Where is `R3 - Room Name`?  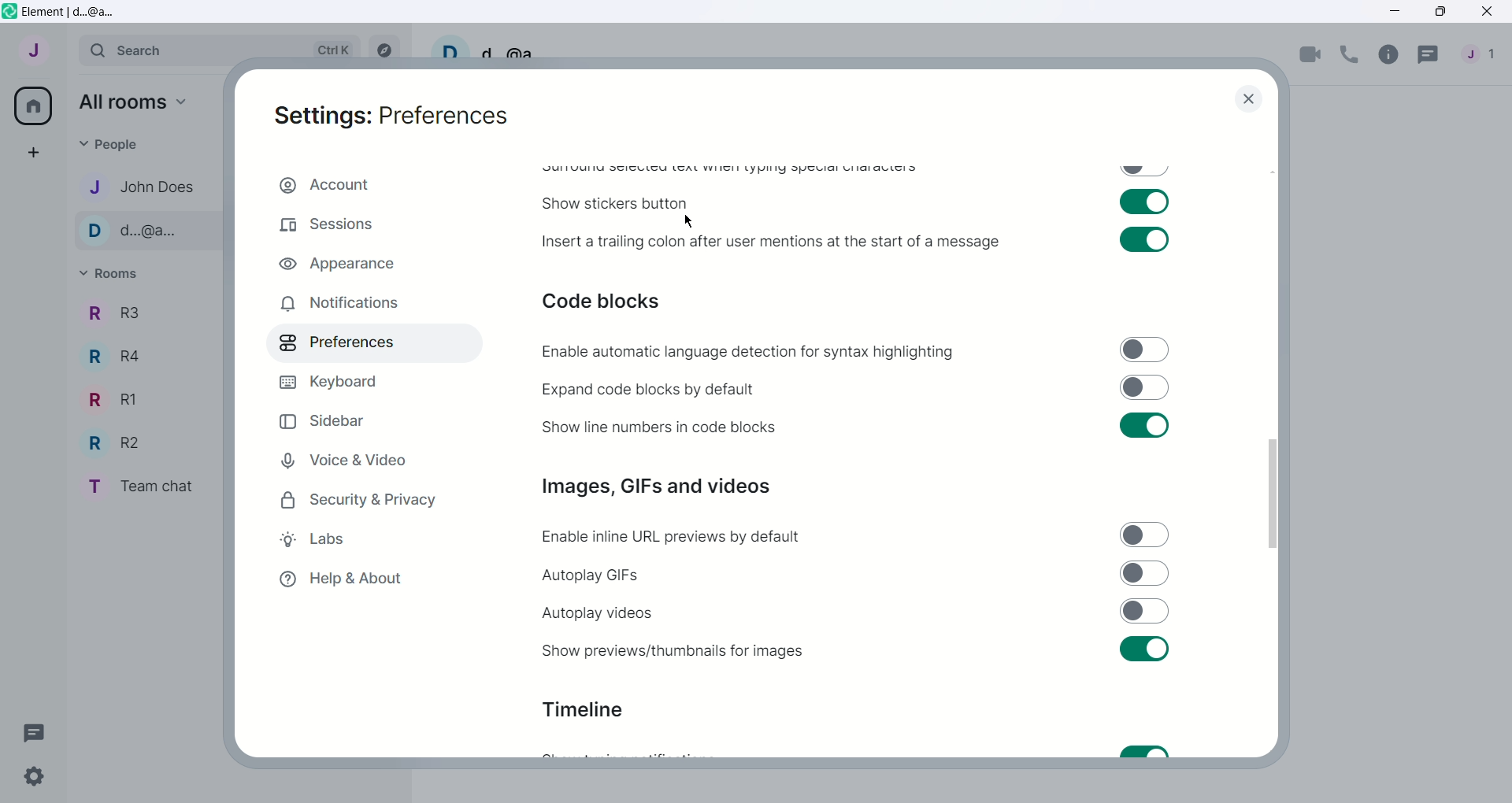
R3 - Room Name is located at coordinates (112, 314).